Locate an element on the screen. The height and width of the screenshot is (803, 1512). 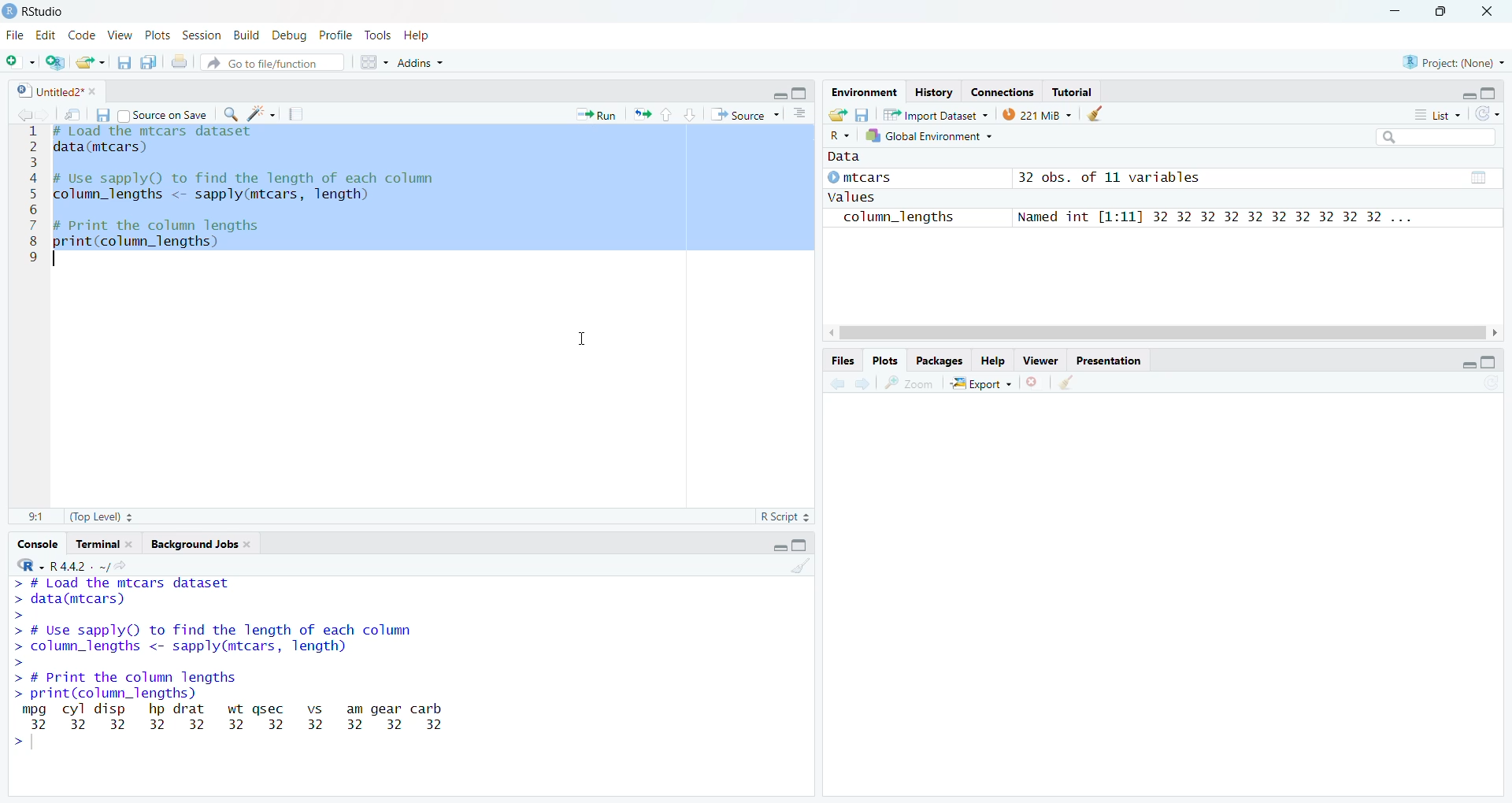
Build is located at coordinates (247, 35).